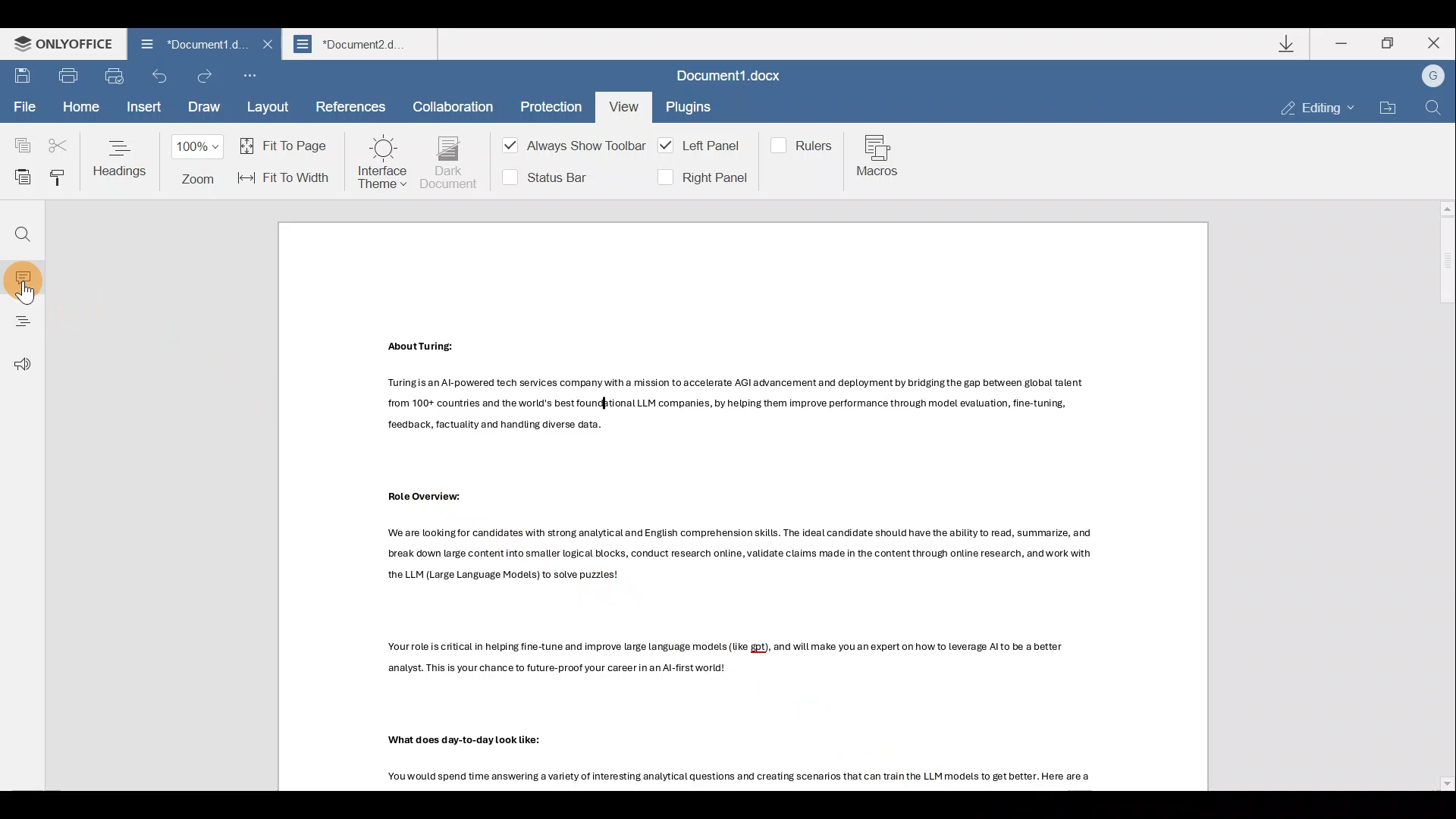  What do you see at coordinates (24, 316) in the screenshot?
I see `Headings` at bounding box center [24, 316].